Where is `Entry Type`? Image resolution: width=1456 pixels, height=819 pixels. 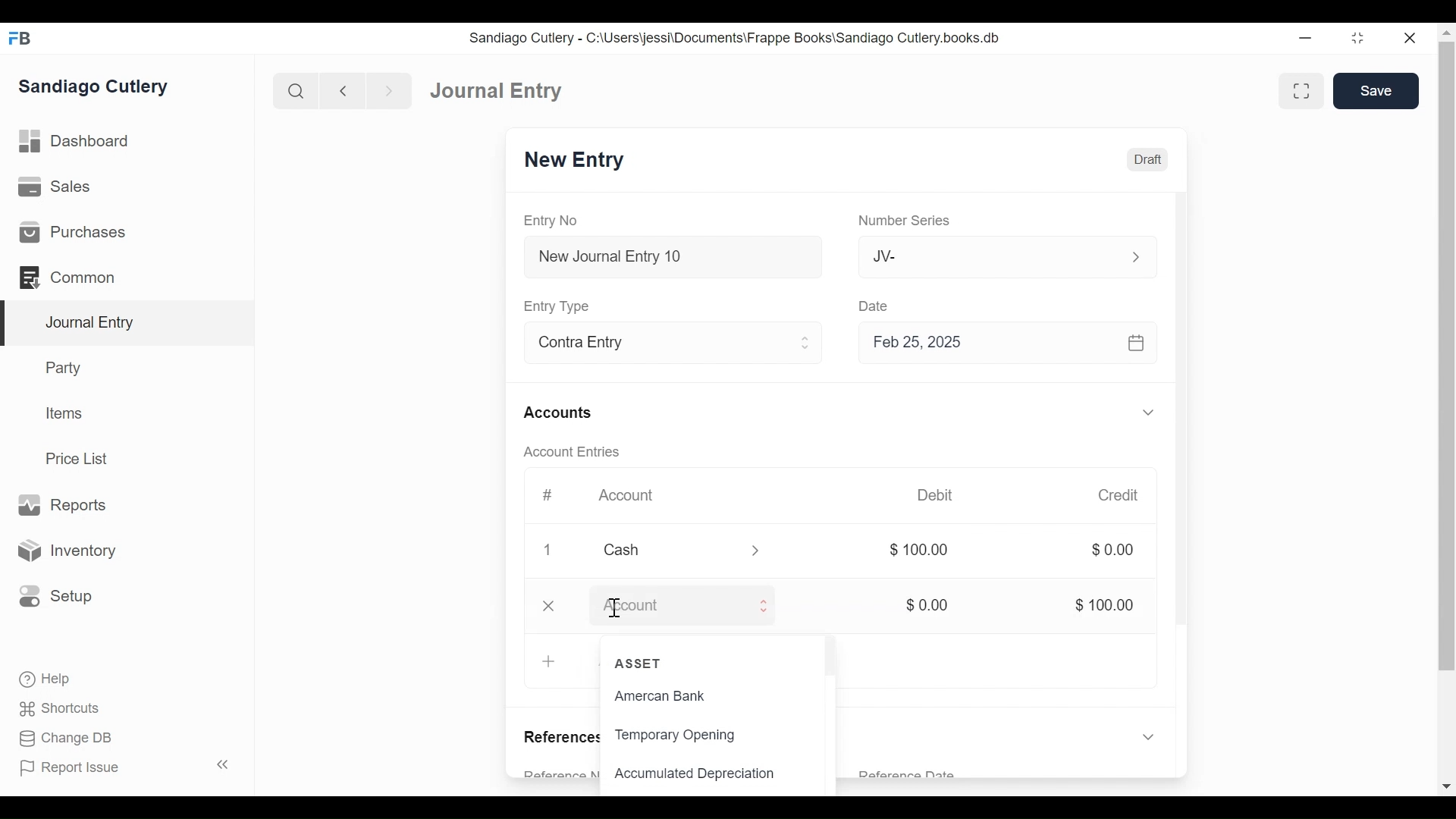 Entry Type is located at coordinates (562, 304).